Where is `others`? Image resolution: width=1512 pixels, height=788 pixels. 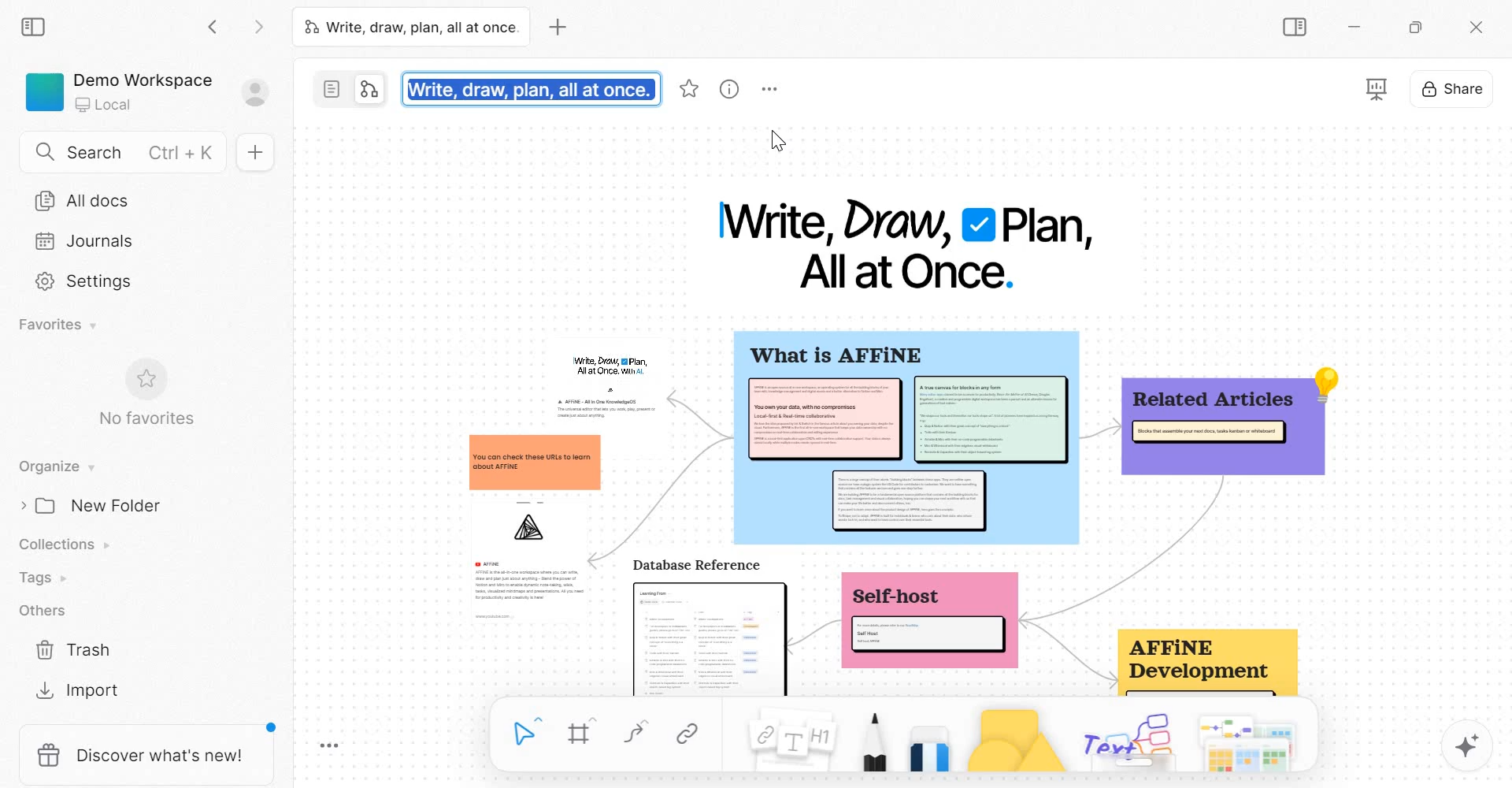 others is located at coordinates (1130, 741).